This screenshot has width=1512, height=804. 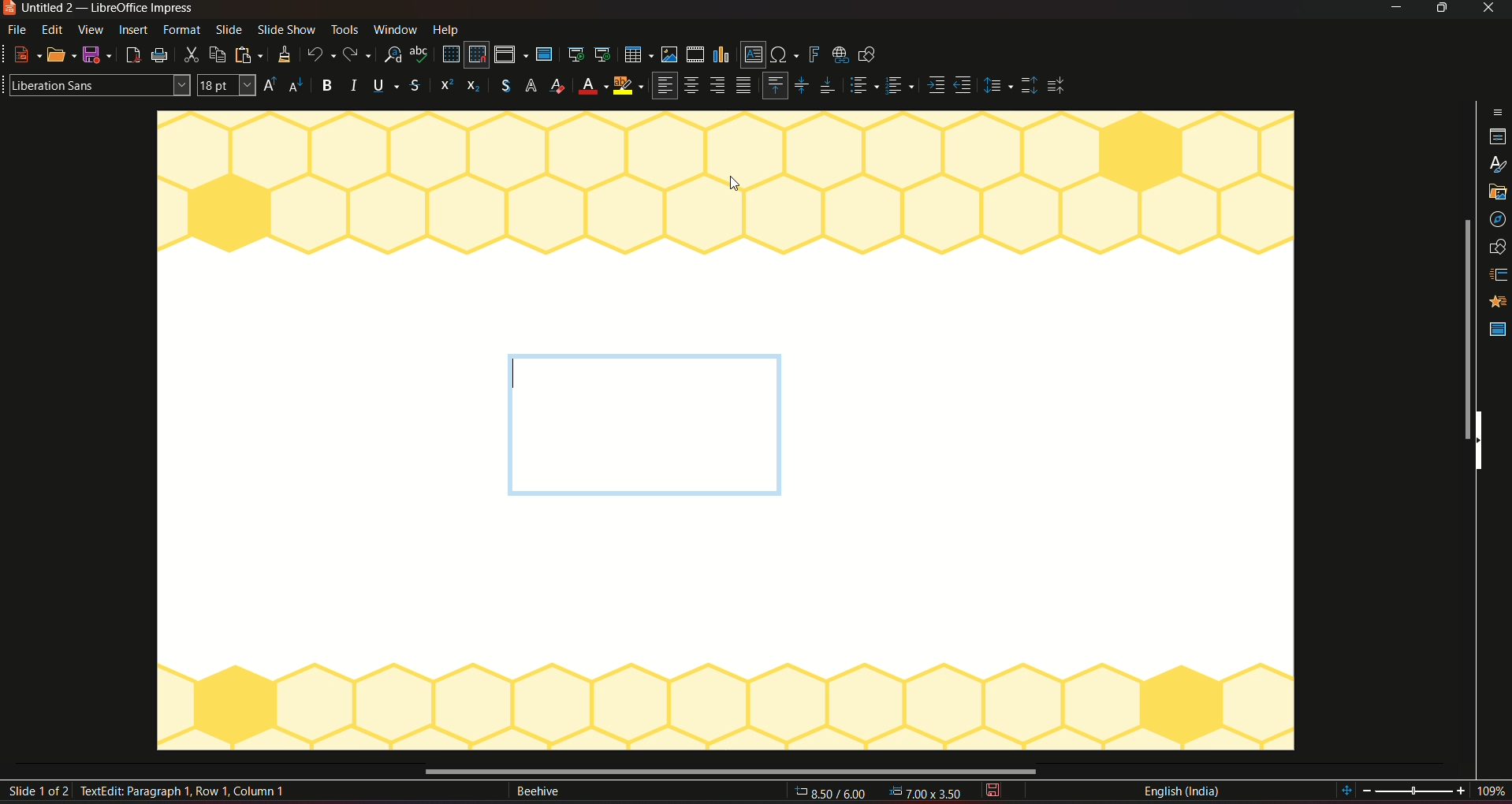 What do you see at coordinates (721, 86) in the screenshot?
I see `Align right` at bounding box center [721, 86].